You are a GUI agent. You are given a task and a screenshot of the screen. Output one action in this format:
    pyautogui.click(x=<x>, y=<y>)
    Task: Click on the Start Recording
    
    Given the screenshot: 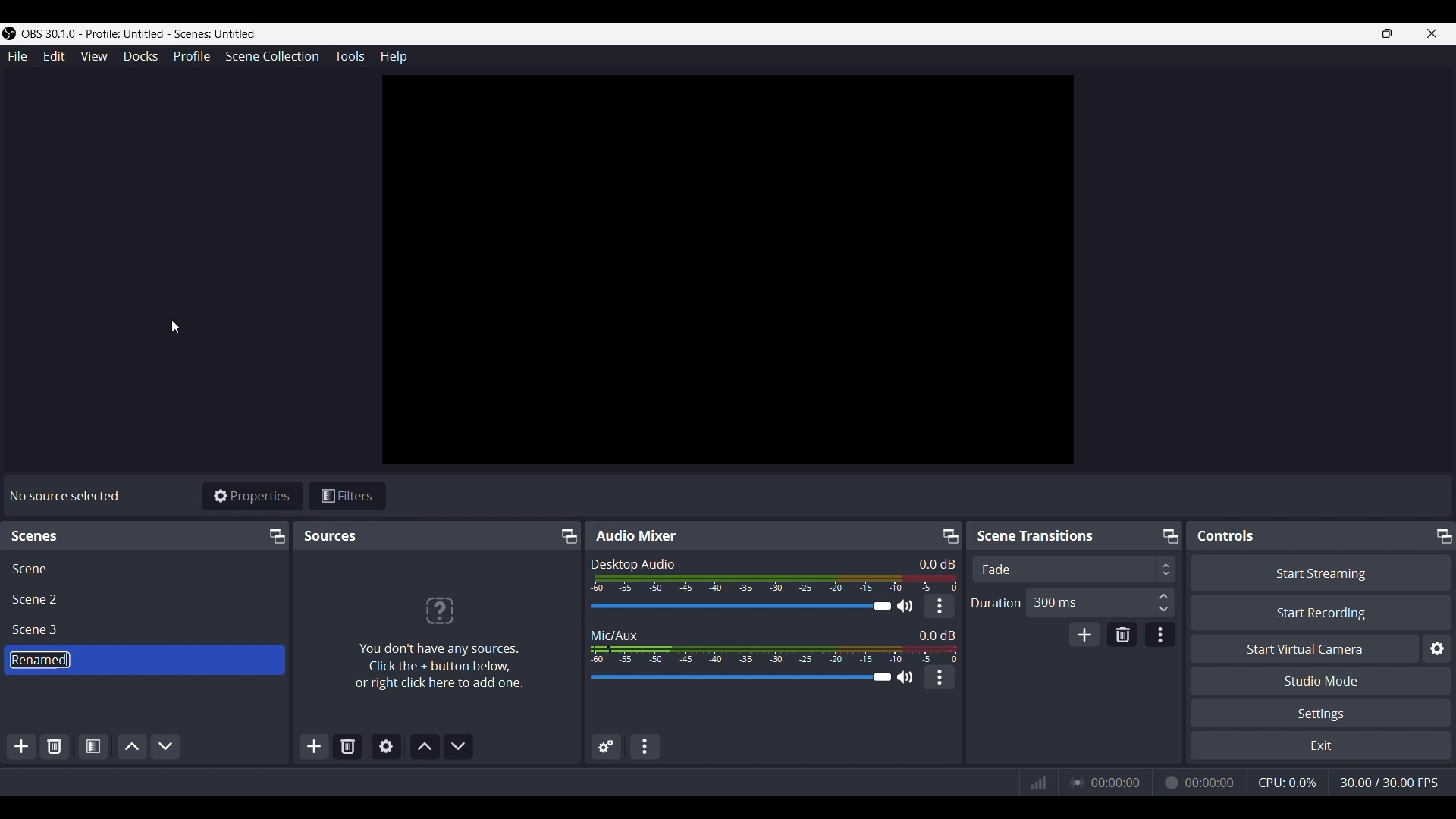 What is the action you would take?
    pyautogui.click(x=1322, y=612)
    